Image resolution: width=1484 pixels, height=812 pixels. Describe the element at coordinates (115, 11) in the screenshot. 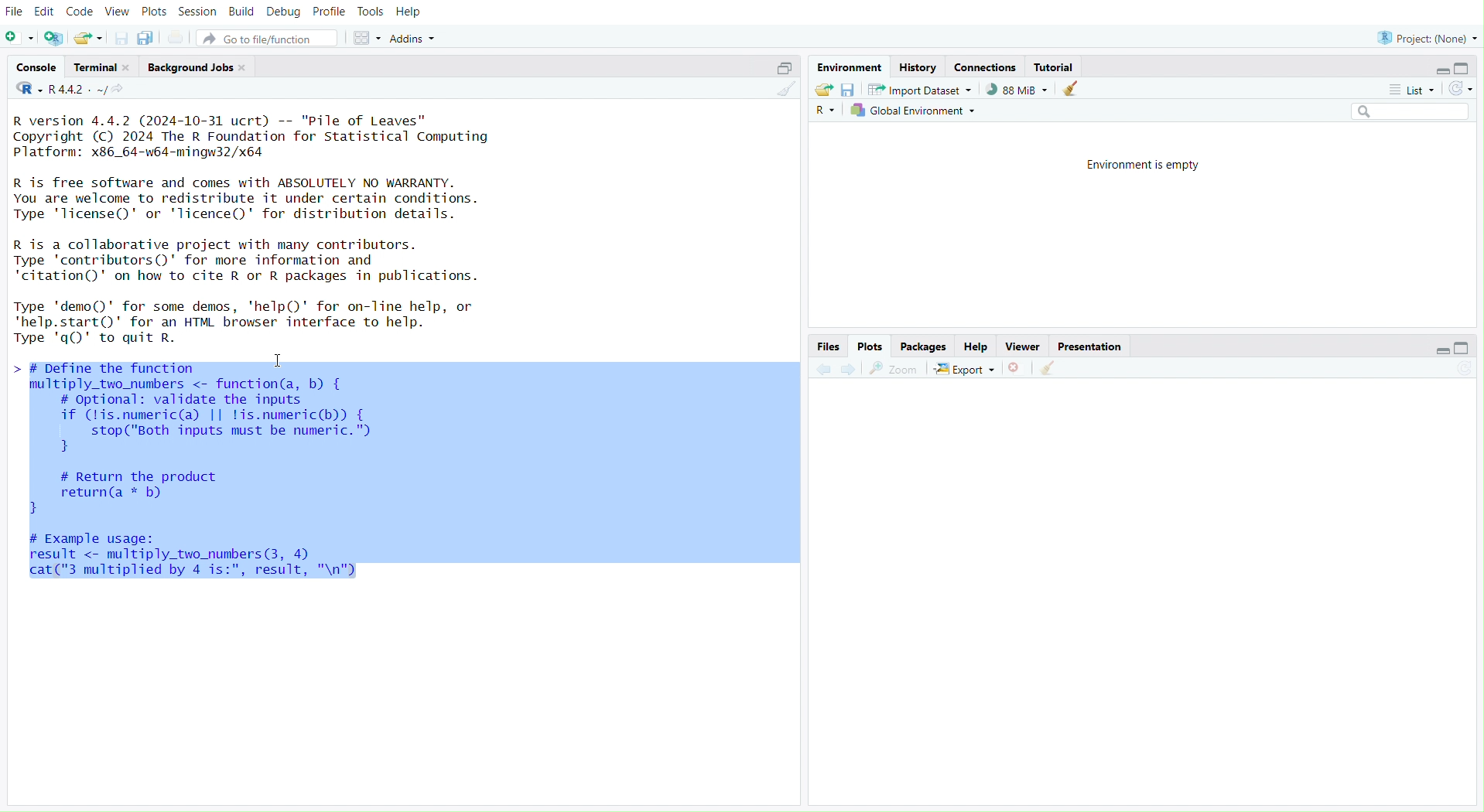

I see `View` at that location.